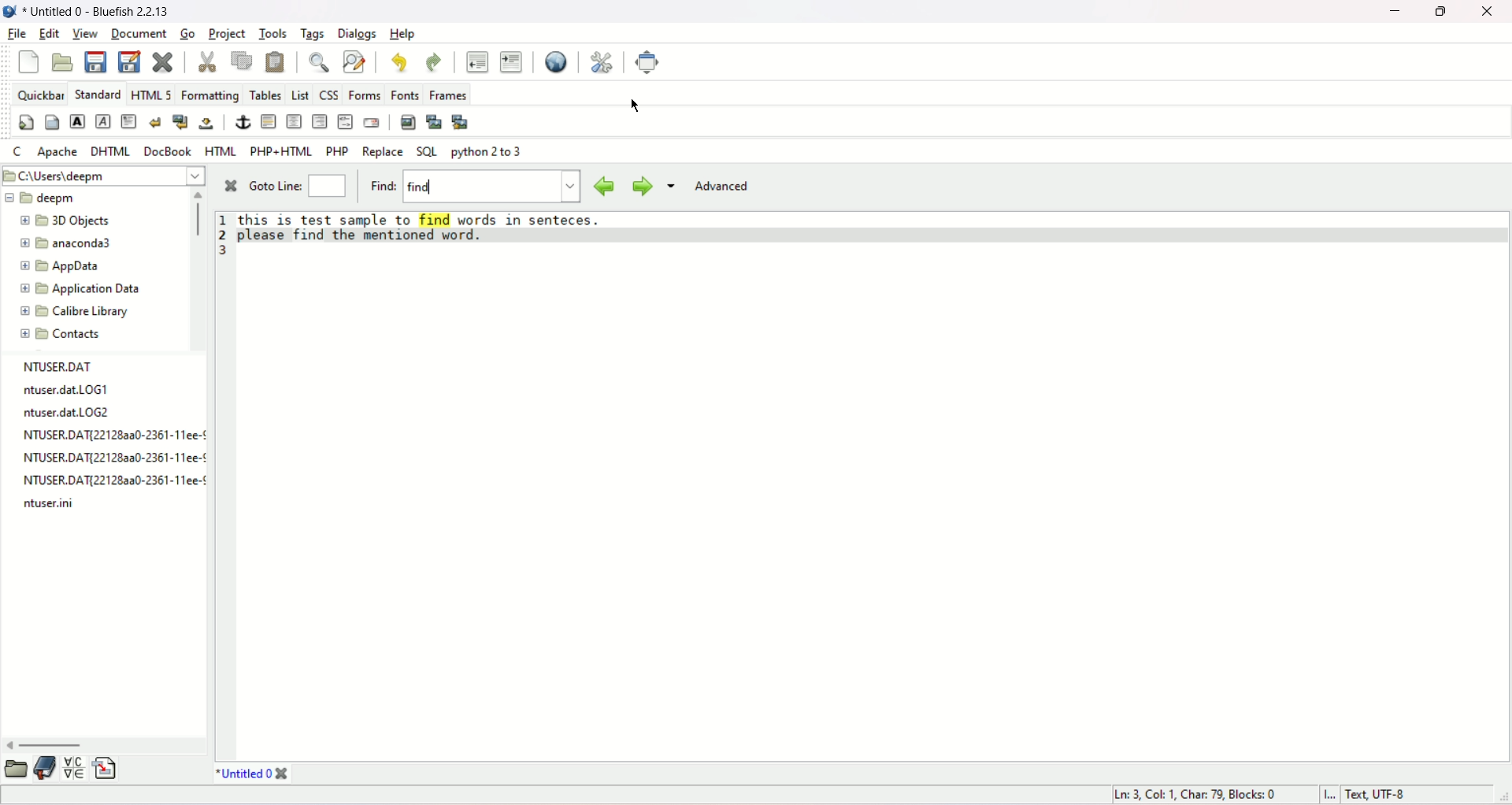 This screenshot has height=805, width=1512. I want to click on insert image, so click(405, 122).